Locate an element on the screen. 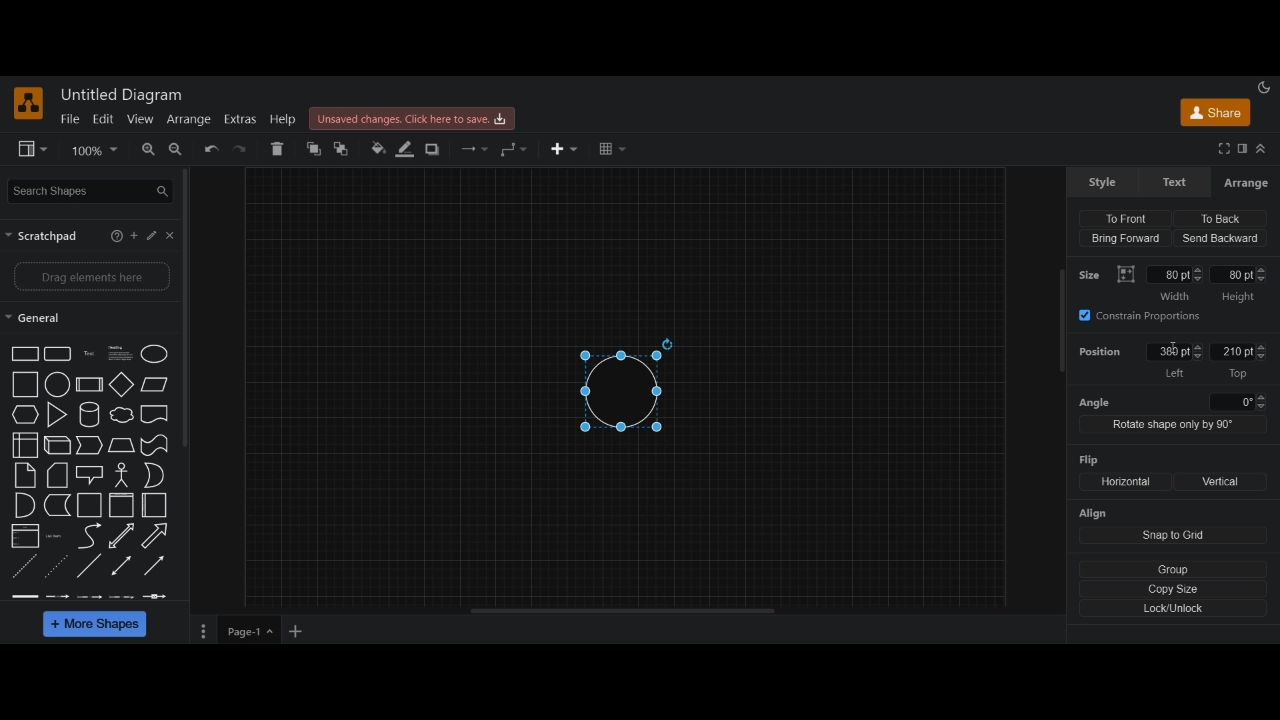 The image size is (1280, 720). unsaved changes, click here to save. is located at coordinates (415, 119).